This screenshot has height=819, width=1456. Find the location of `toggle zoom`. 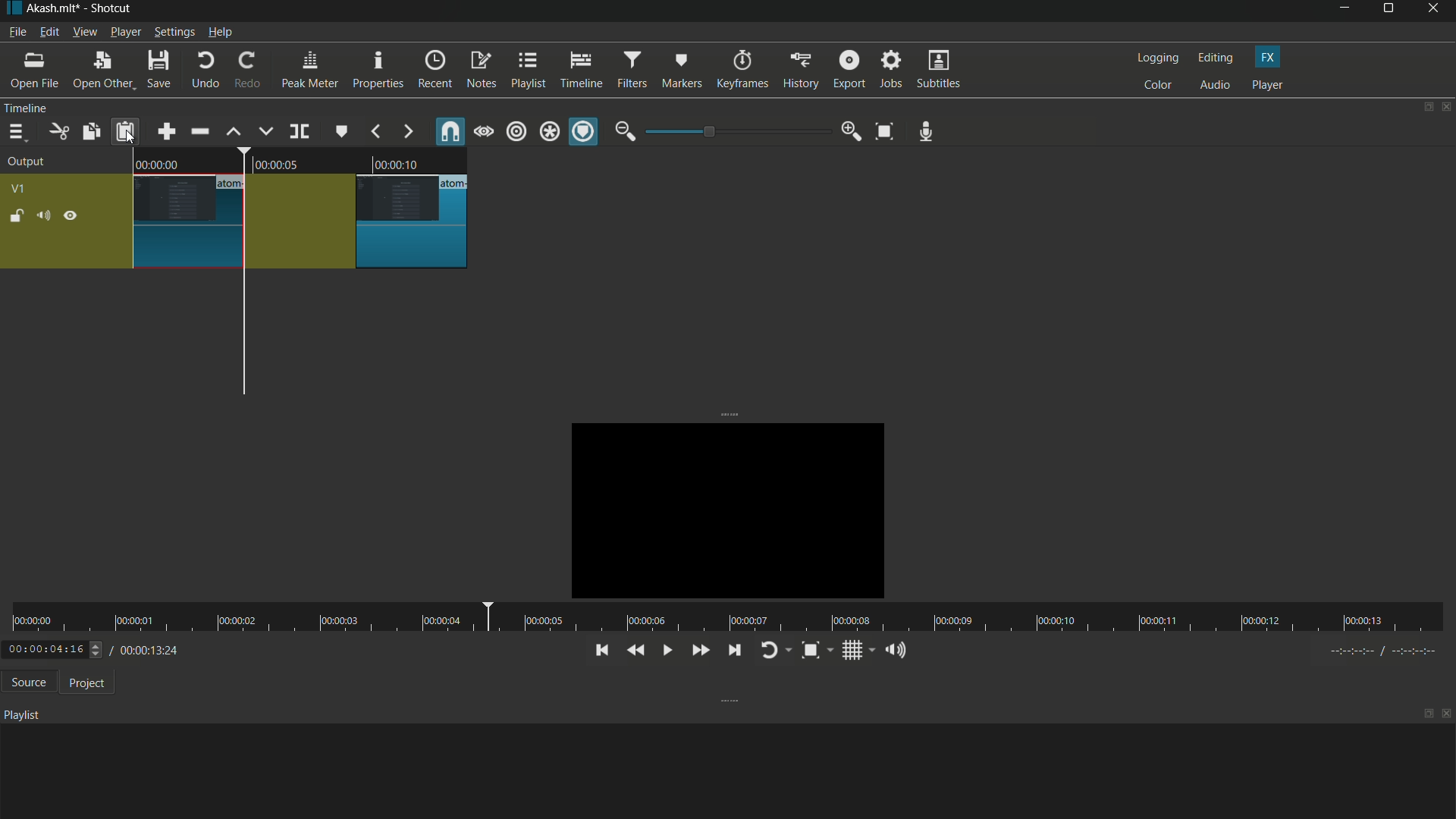

toggle zoom is located at coordinates (816, 650).